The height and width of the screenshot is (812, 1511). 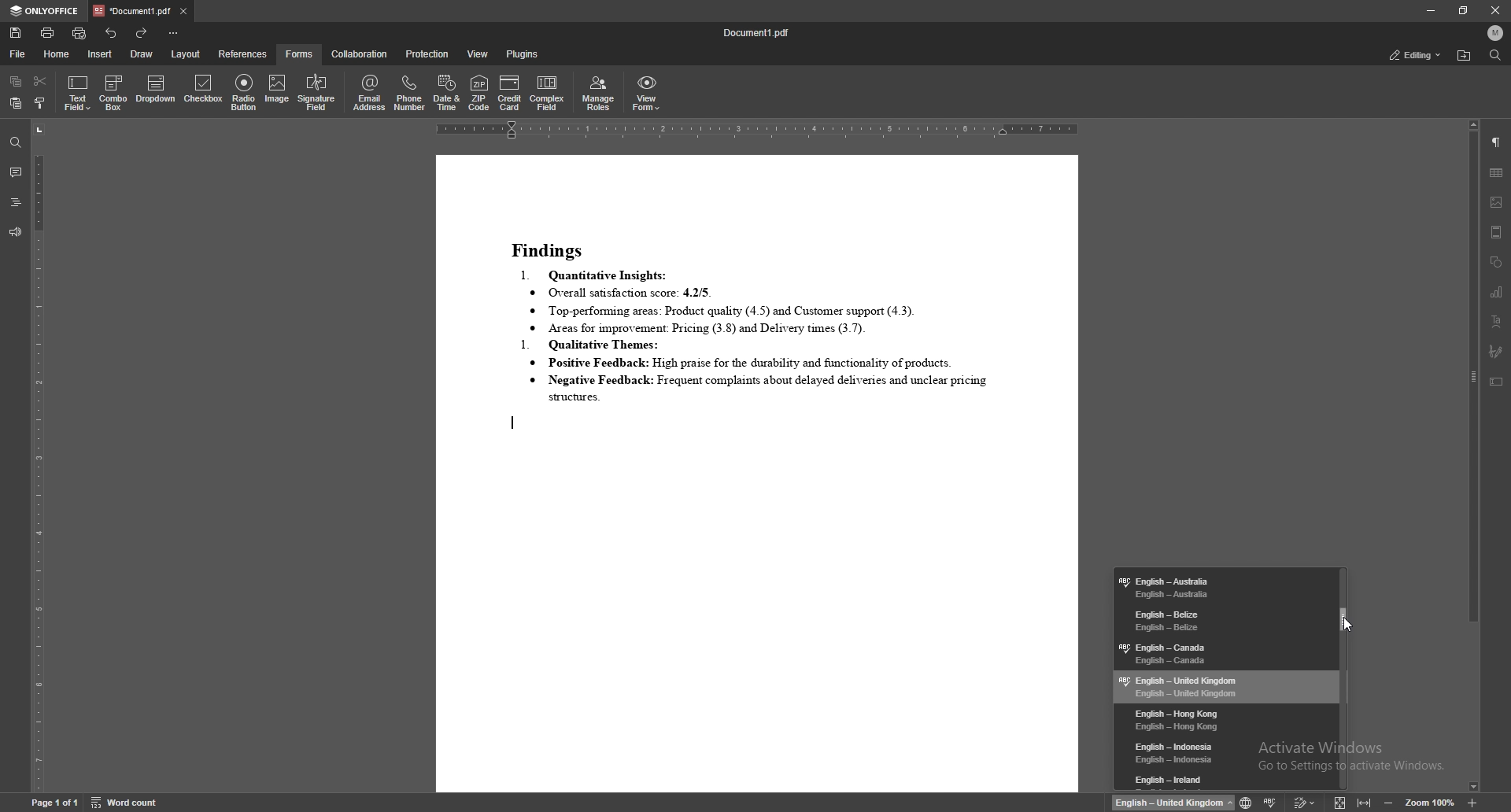 What do you see at coordinates (114, 92) in the screenshot?
I see `combo box` at bounding box center [114, 92].